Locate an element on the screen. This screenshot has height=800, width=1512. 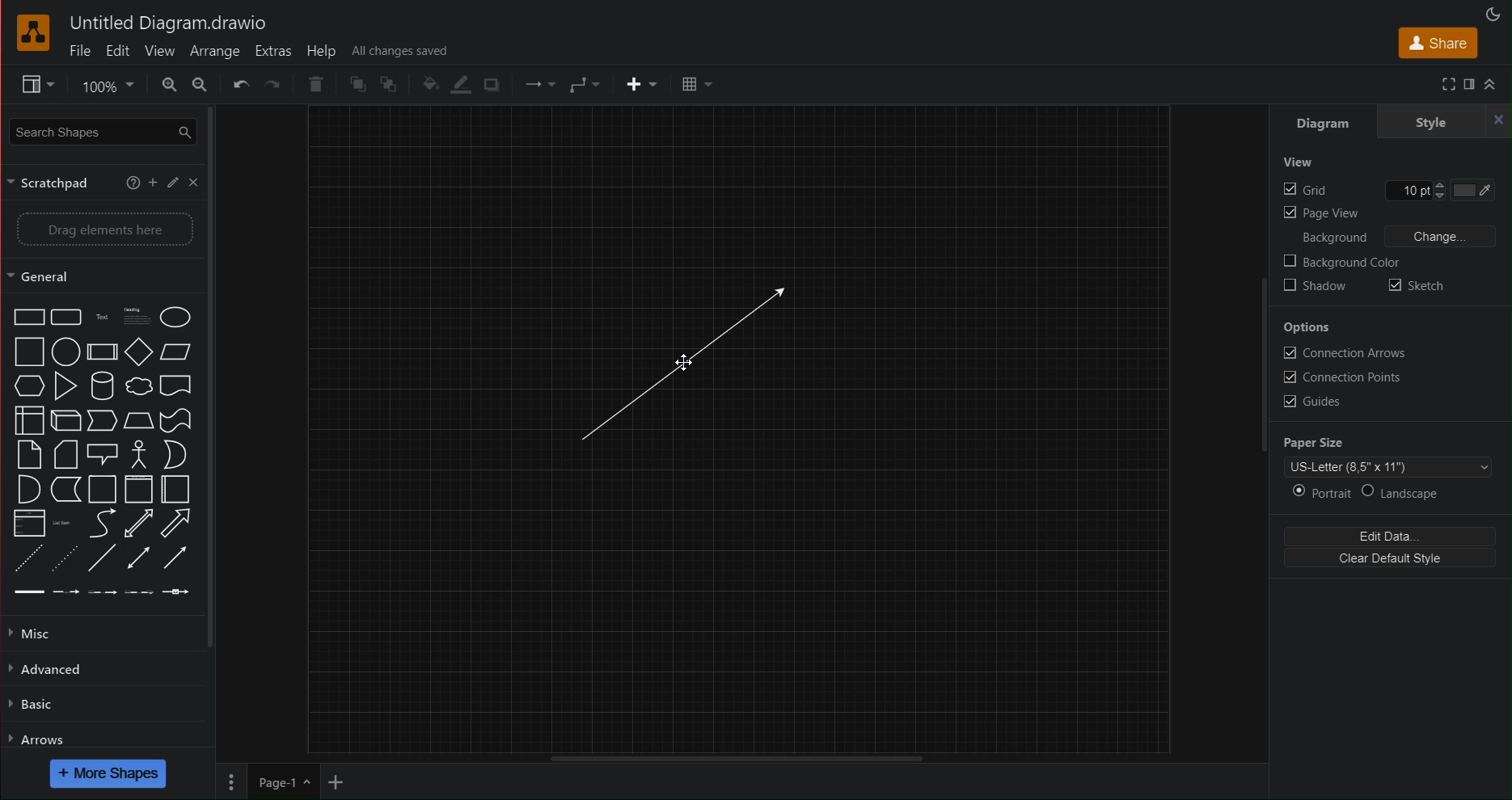
Style is located at coordinates (1430, 122).